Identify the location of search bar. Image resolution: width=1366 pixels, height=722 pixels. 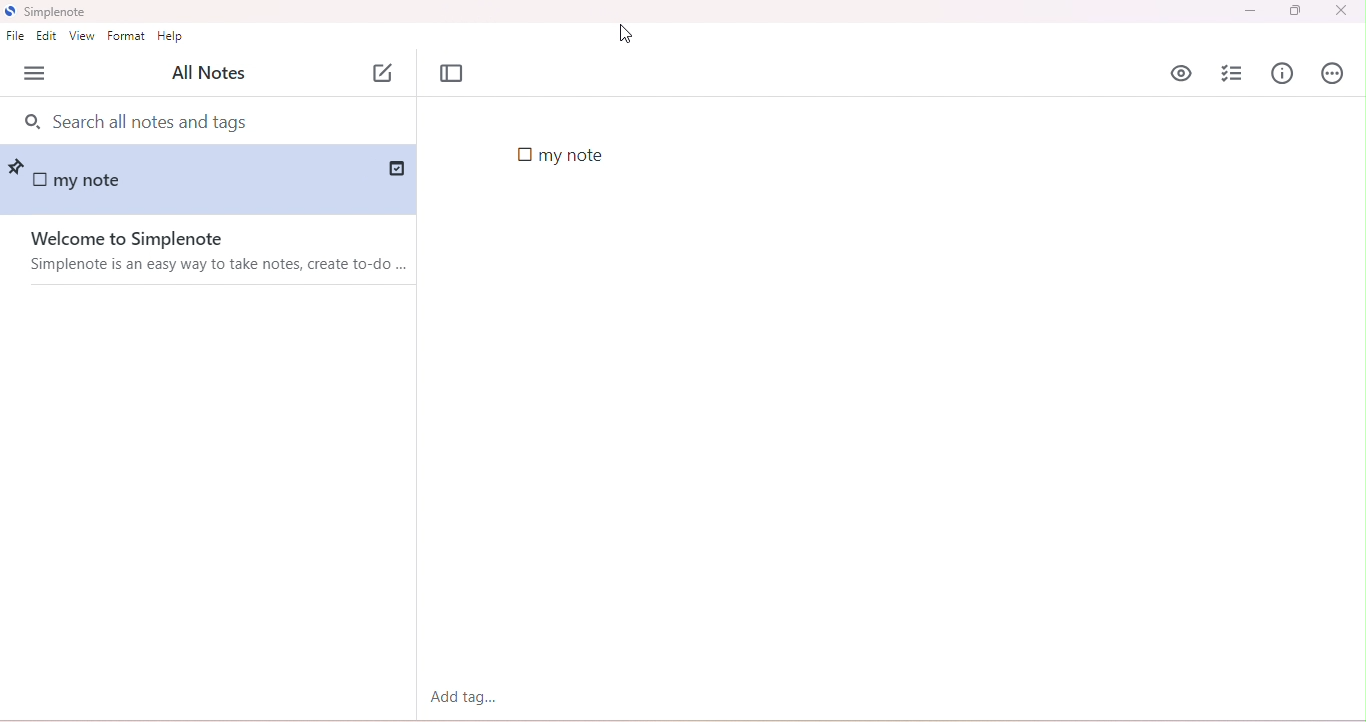
(155, 119).